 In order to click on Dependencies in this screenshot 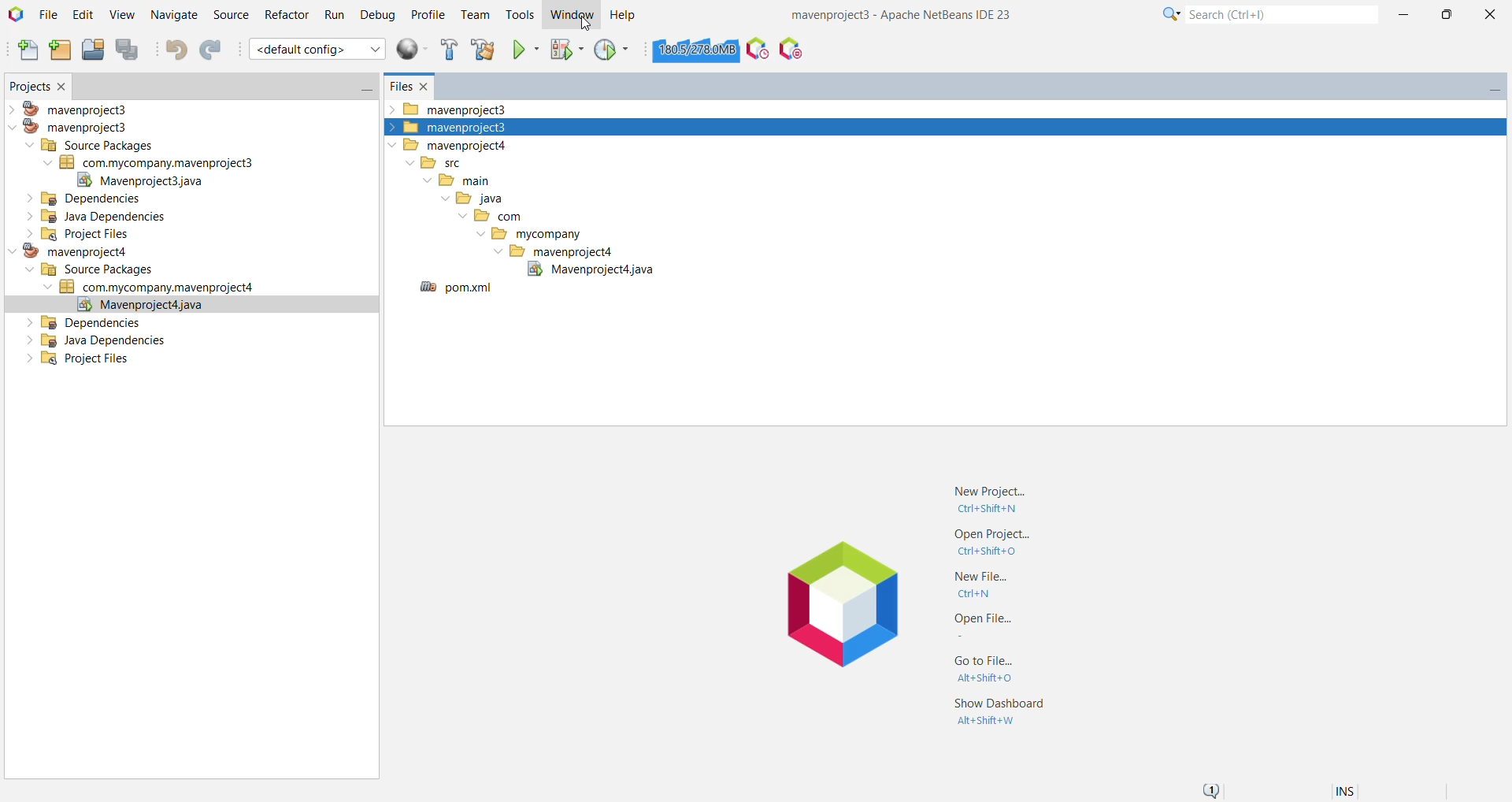, I will do `click(84, 199)`.